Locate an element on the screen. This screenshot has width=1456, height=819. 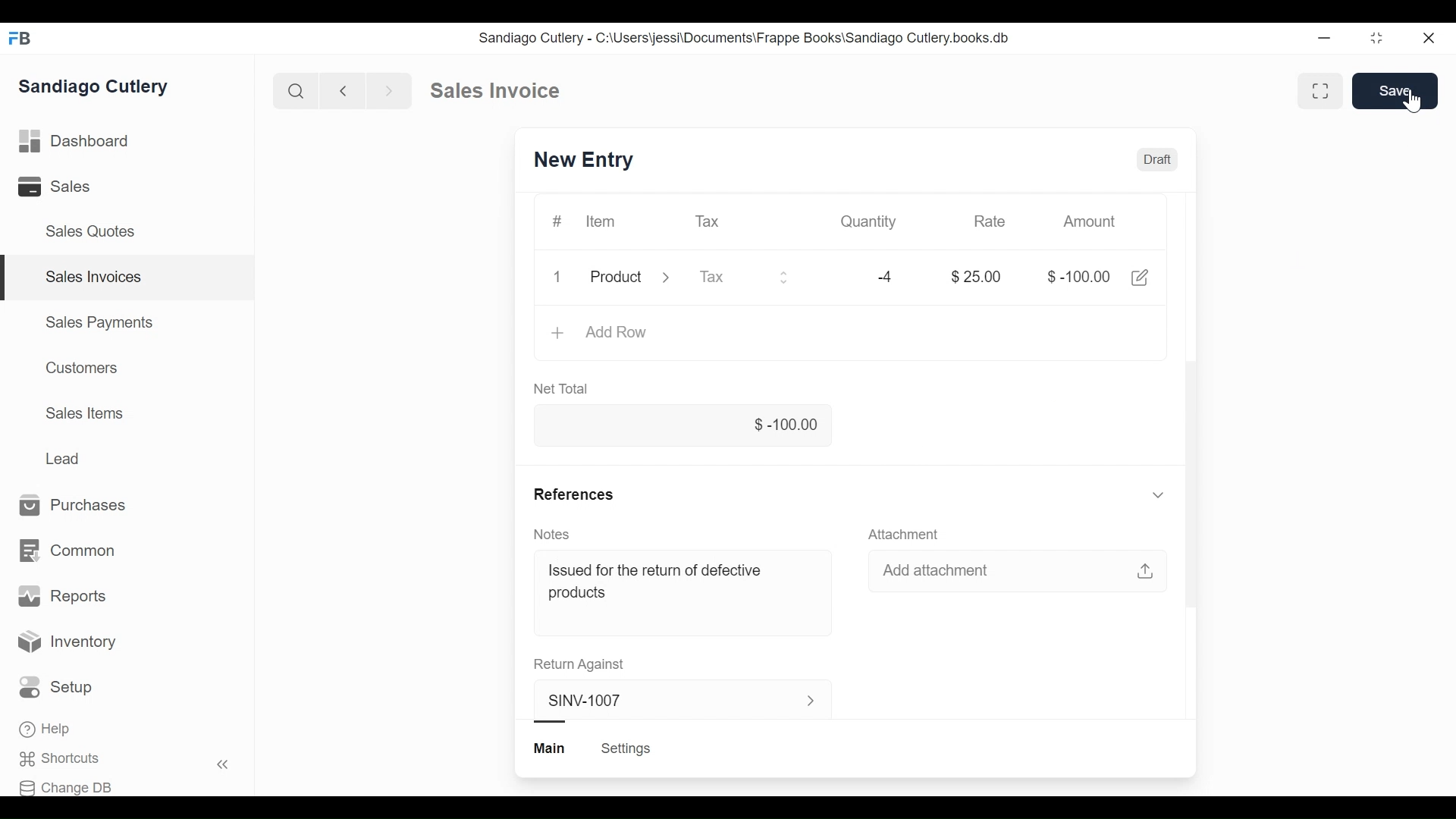
Issued for the return of defective products is located at coordinates (661, 582).